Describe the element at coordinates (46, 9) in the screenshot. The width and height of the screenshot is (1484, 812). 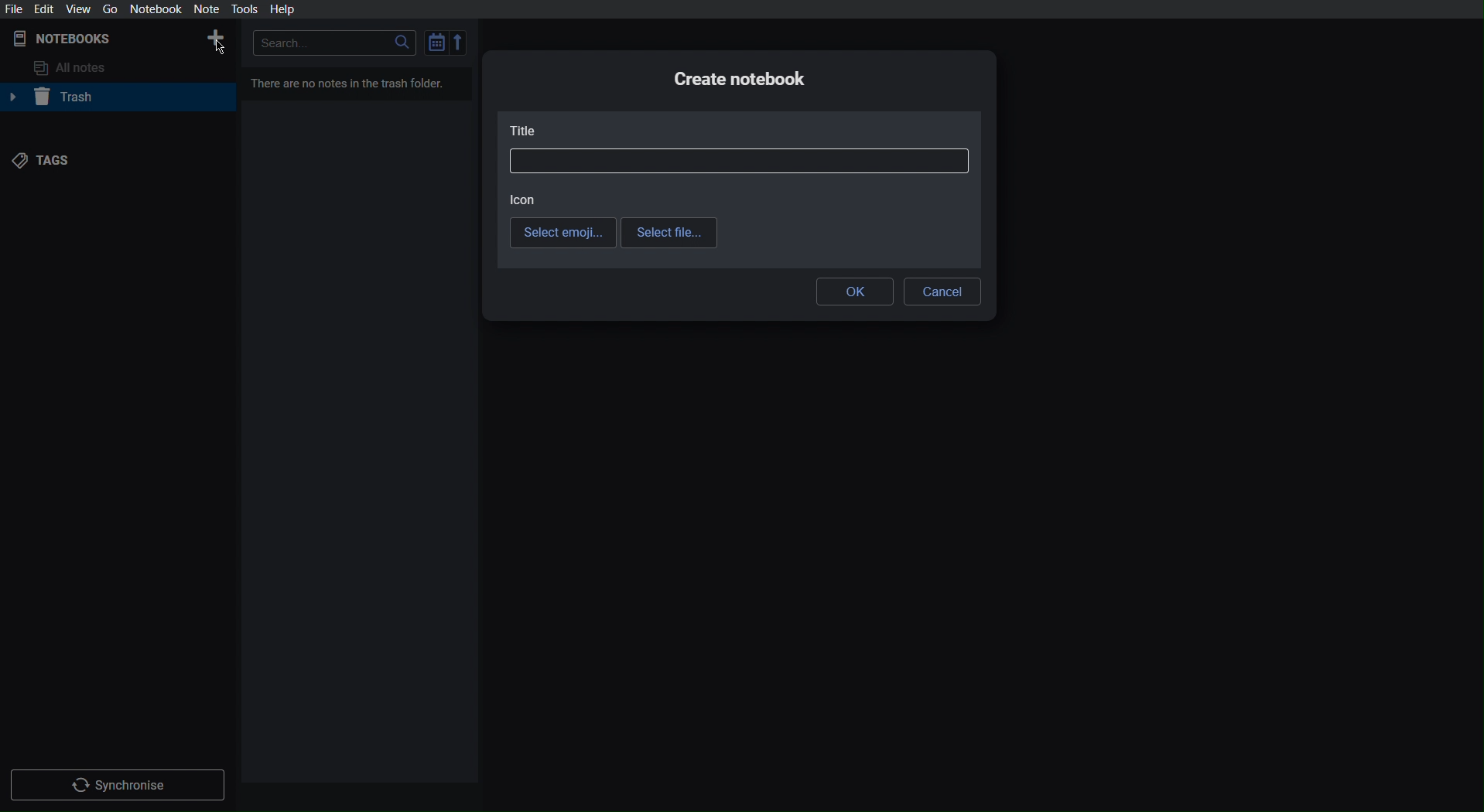
I see `Edit` at that location.